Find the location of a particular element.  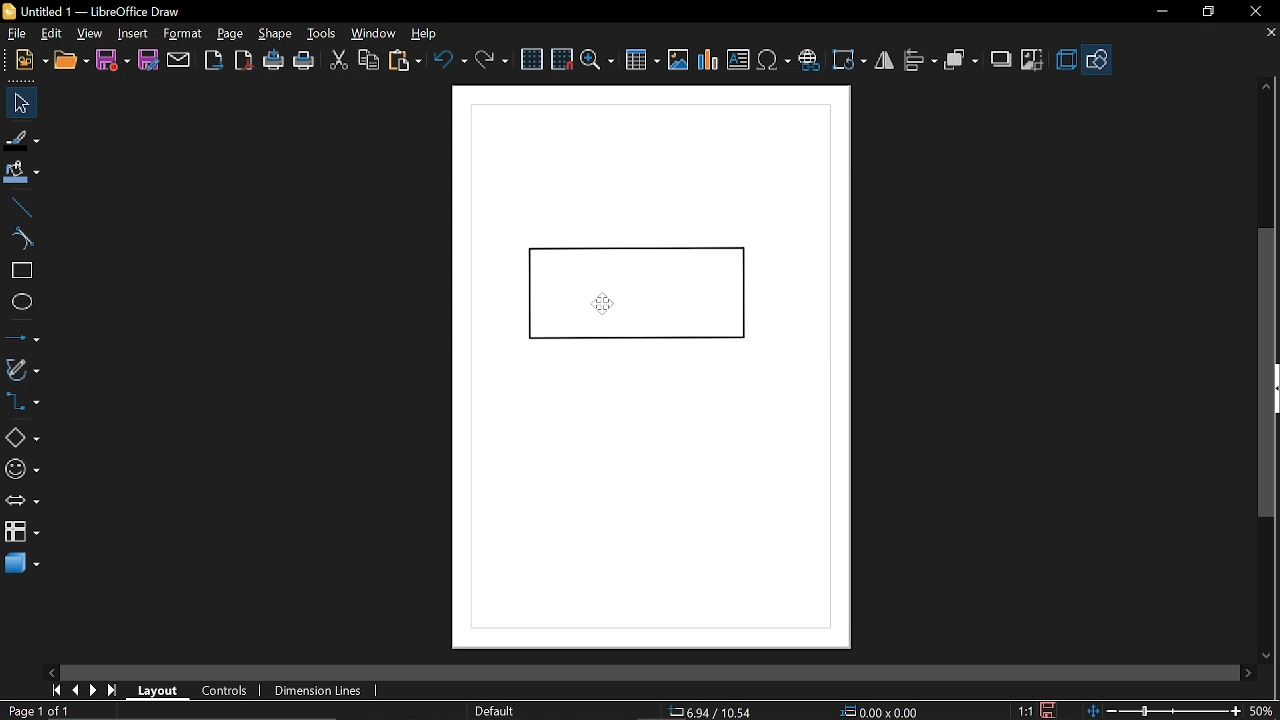

File is located at coordinates (19, 32).